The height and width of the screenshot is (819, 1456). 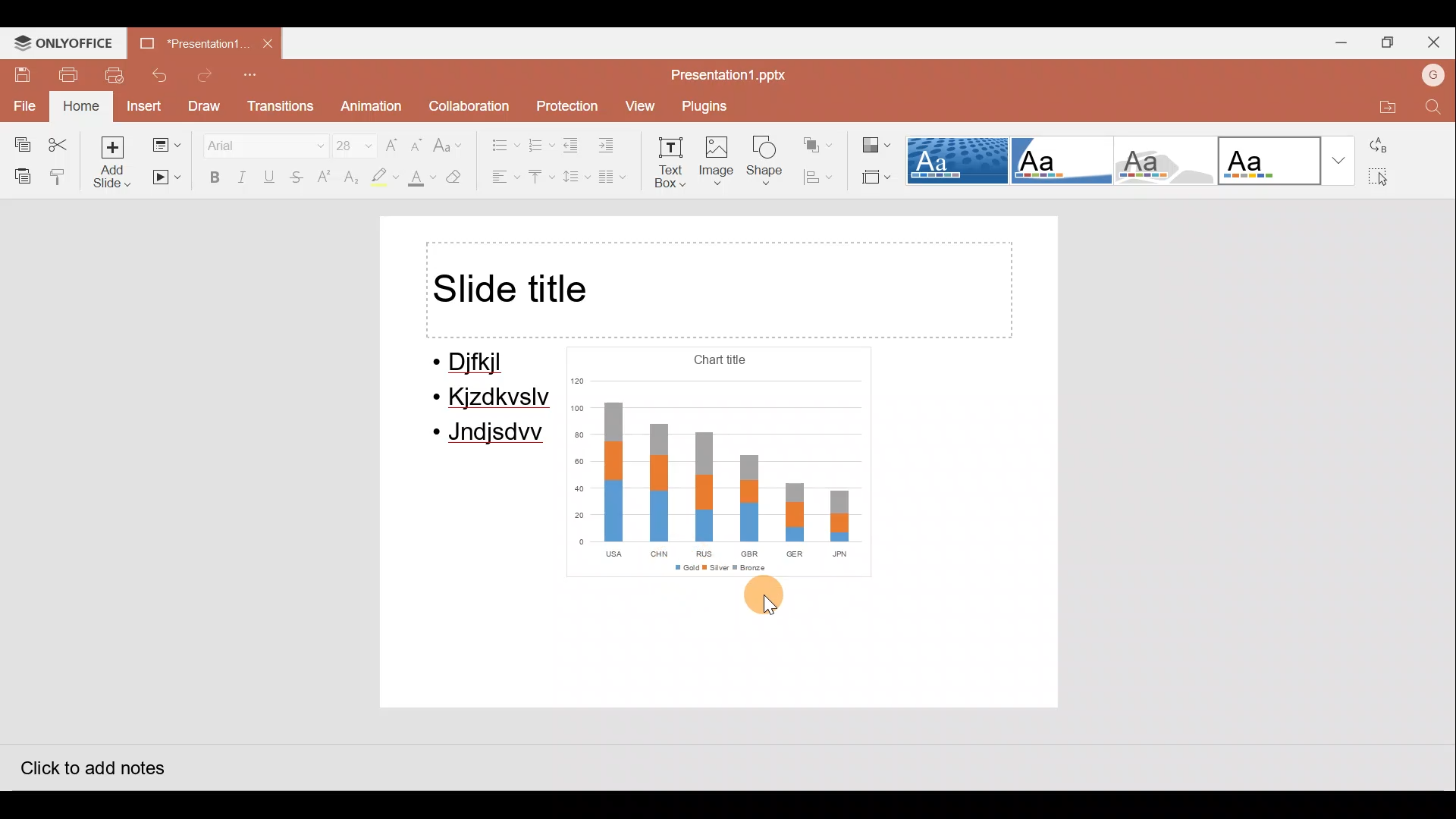 I want to click on Font name, so click(x=256, y=143).